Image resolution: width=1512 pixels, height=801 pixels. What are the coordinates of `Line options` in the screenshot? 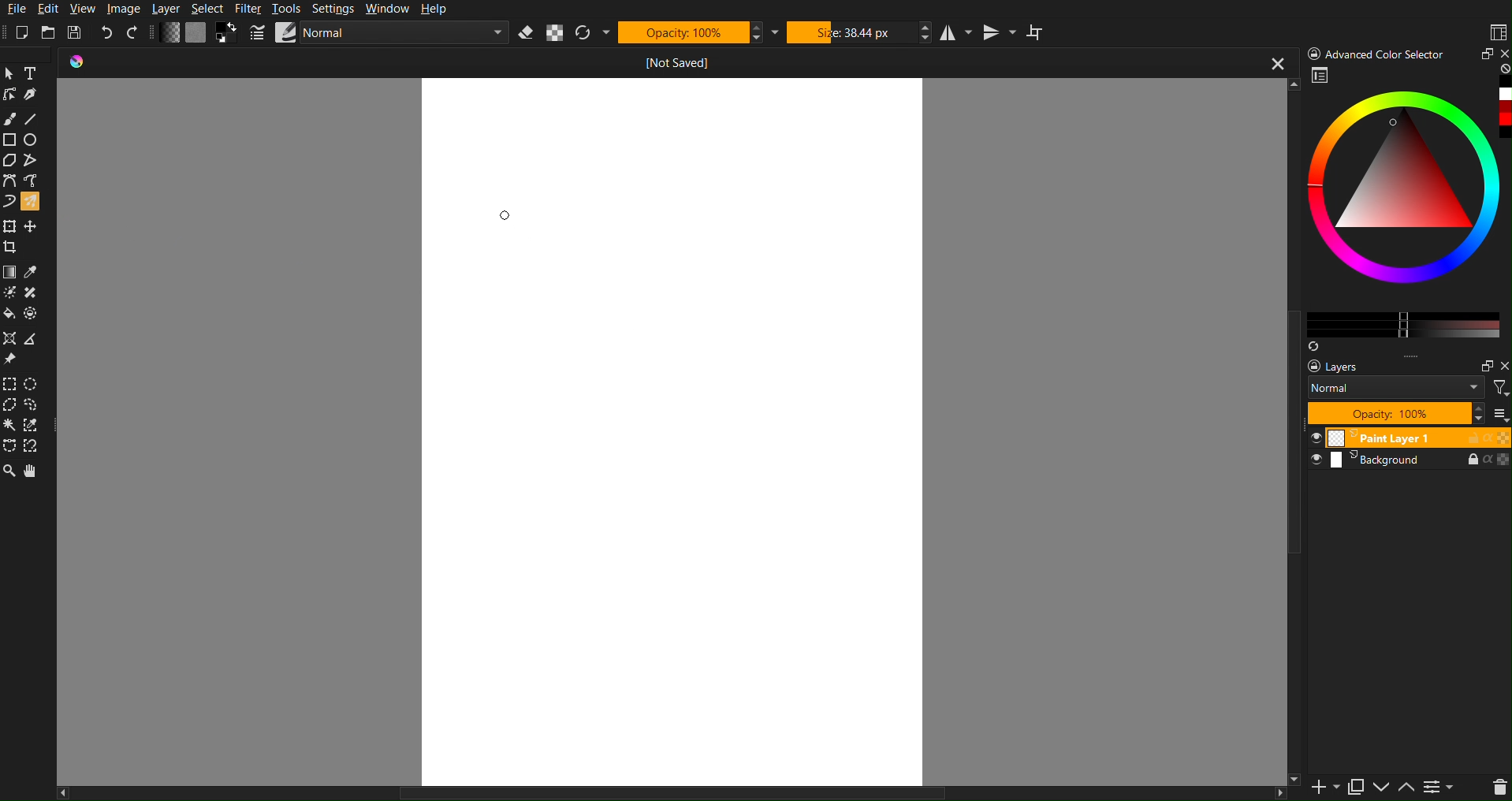 It's located at (286, 32).